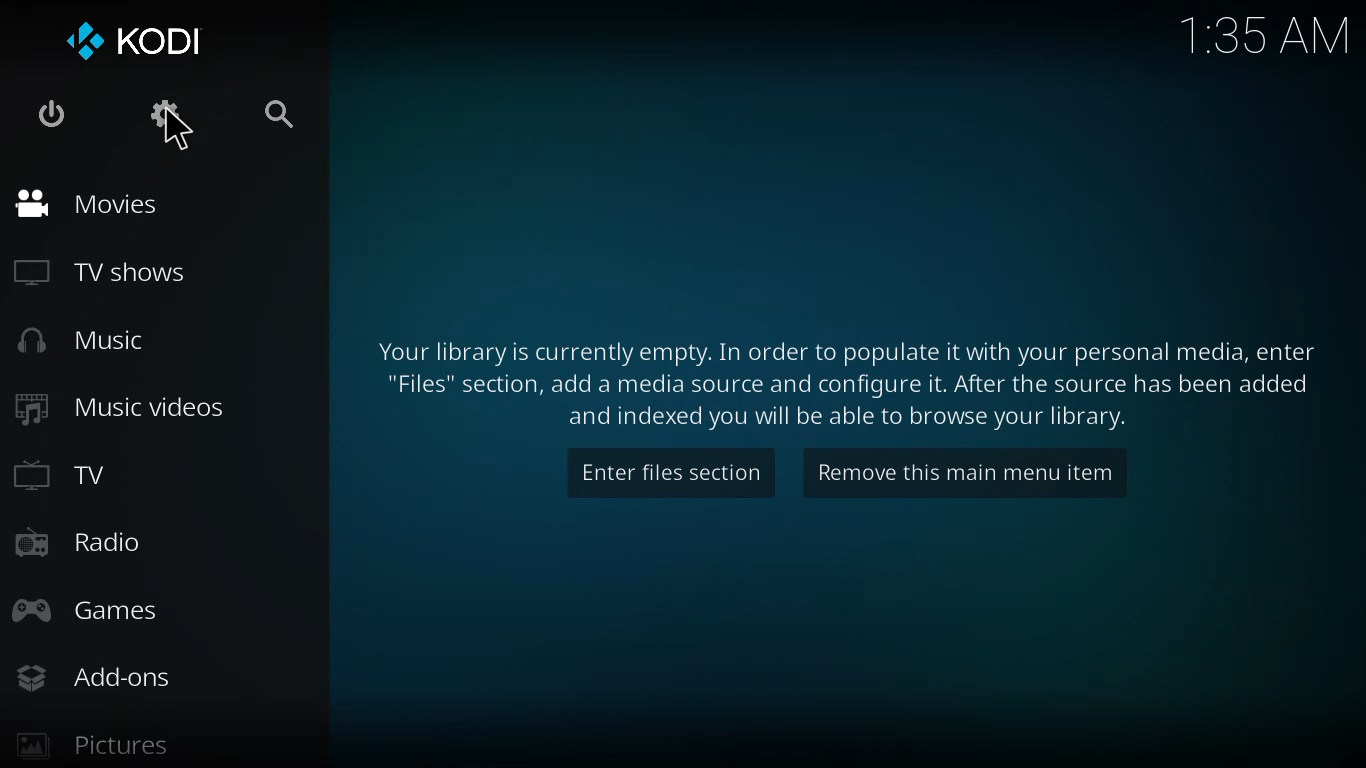 This screenshot has height=768, width=1366. What do you see at coordinates (79, 543) in the screenshot?
I see `radio` at bounding box center [79, 543].